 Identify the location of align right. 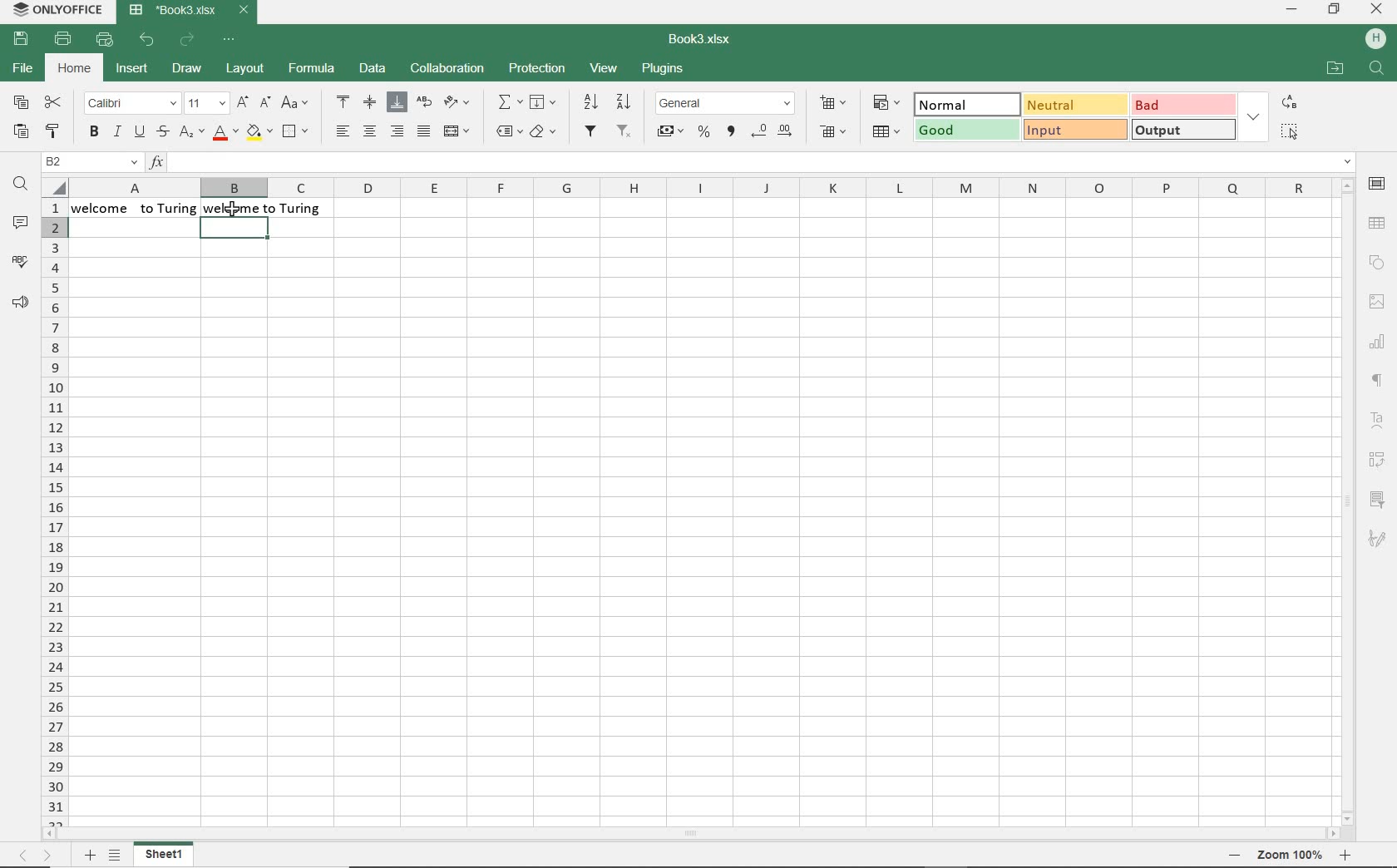
(399, 132).